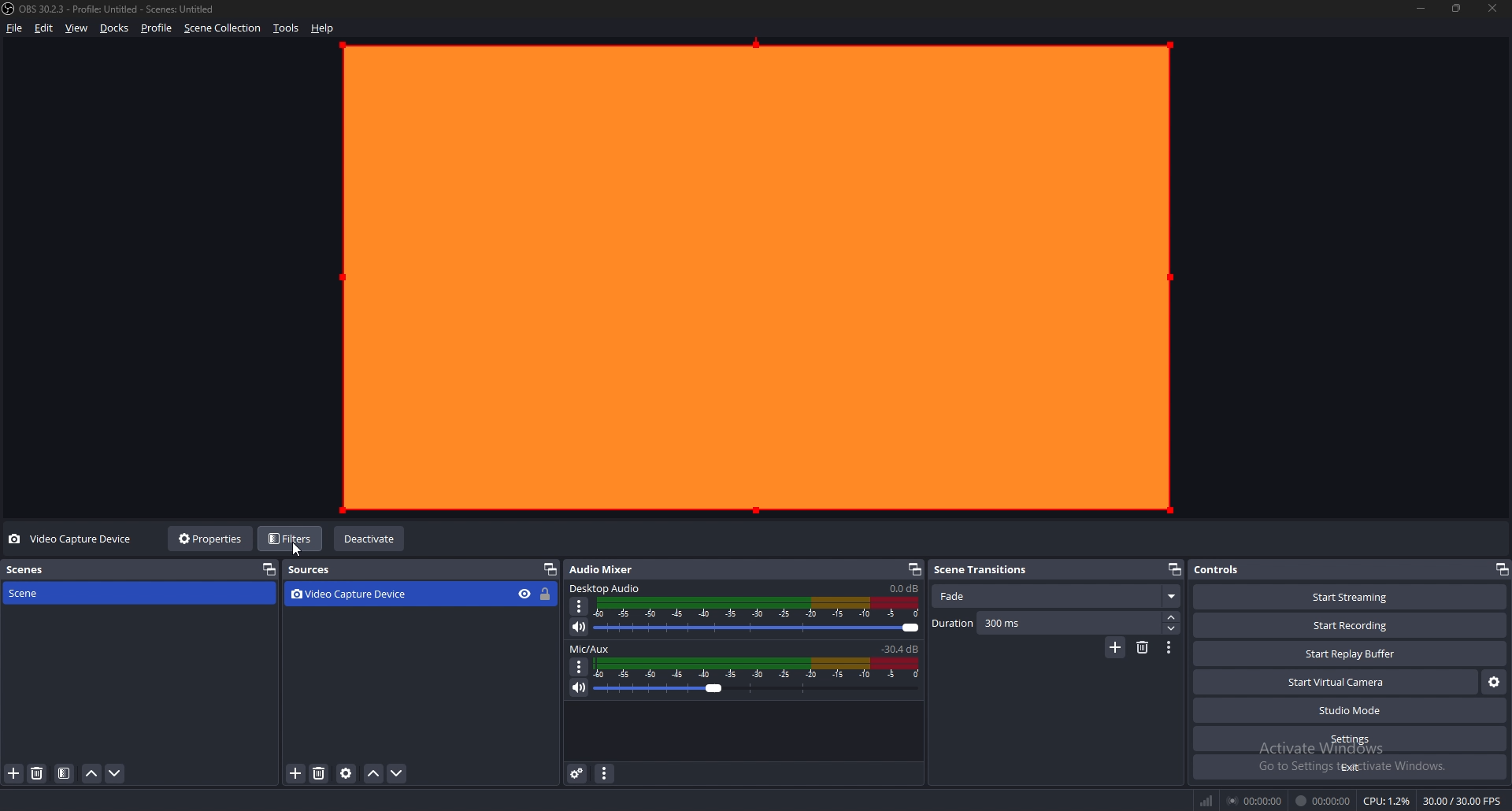 This screenshot has height=811, width=1512. What do you see at coordinates (548, 570) in the screenshot?
I see `pop out` at bounding box center [548, 570].